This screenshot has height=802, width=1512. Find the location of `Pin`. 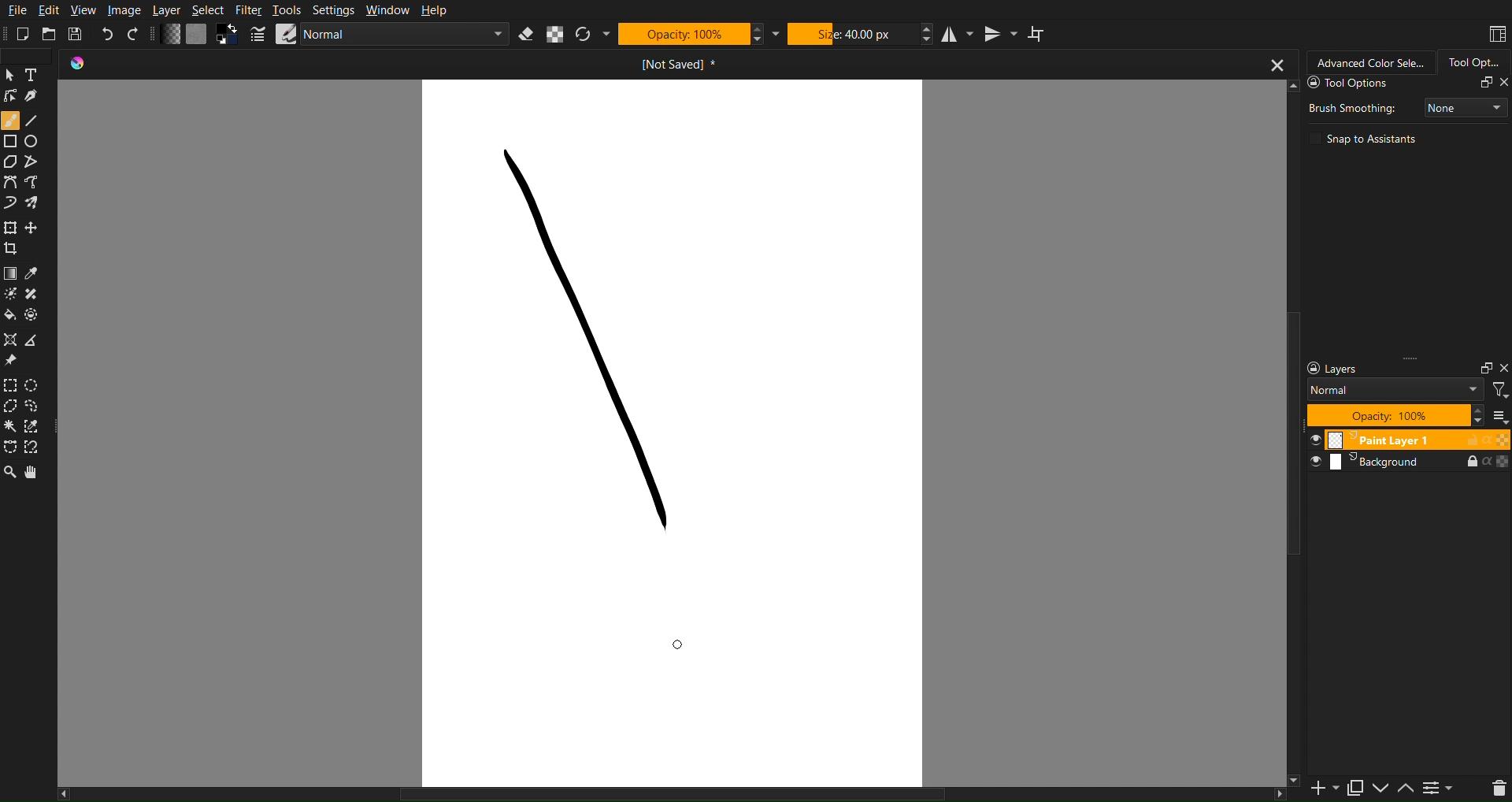

Pin is located at coordinates (12, 361).